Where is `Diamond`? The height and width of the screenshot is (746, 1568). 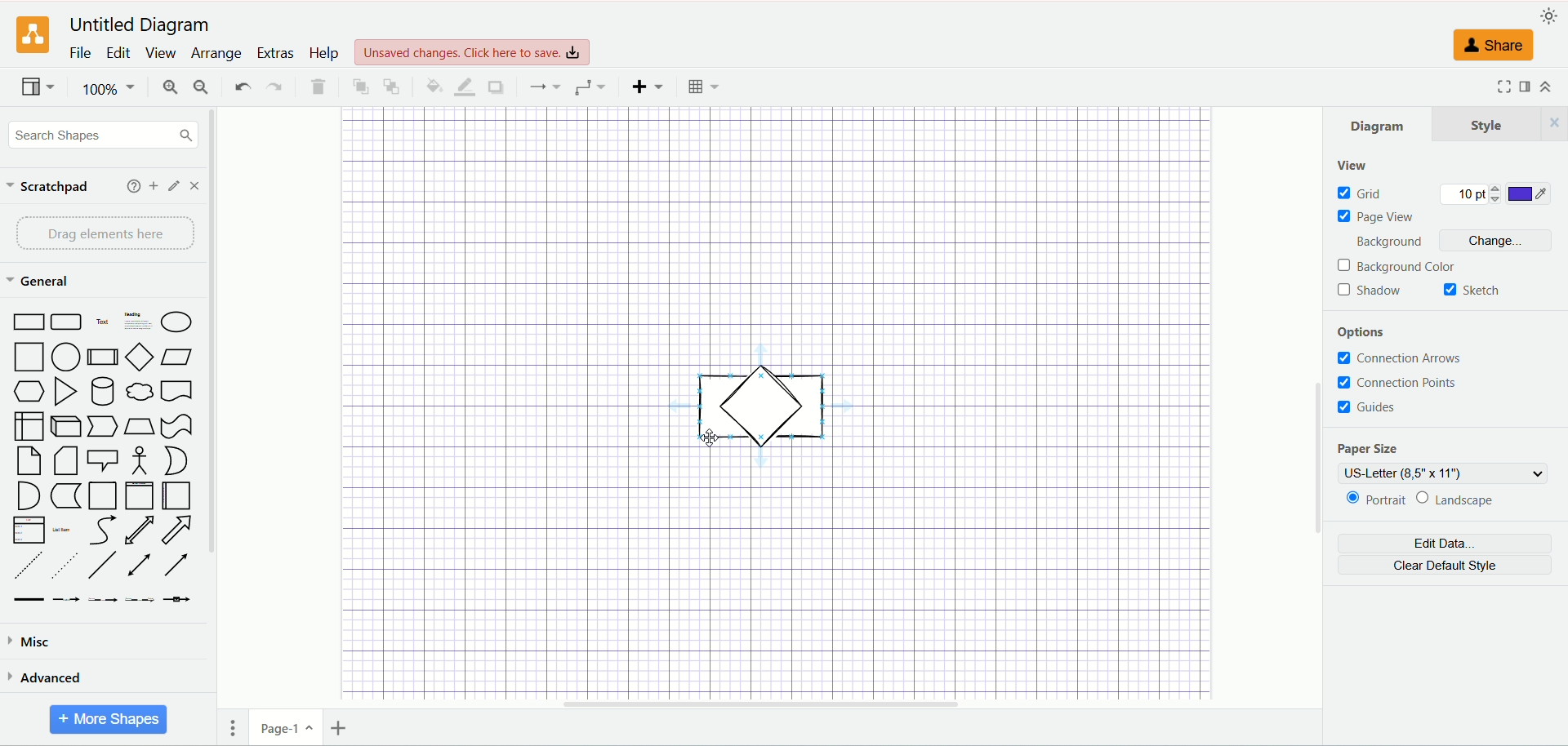
Diamond is located at coordinates (140, 357).